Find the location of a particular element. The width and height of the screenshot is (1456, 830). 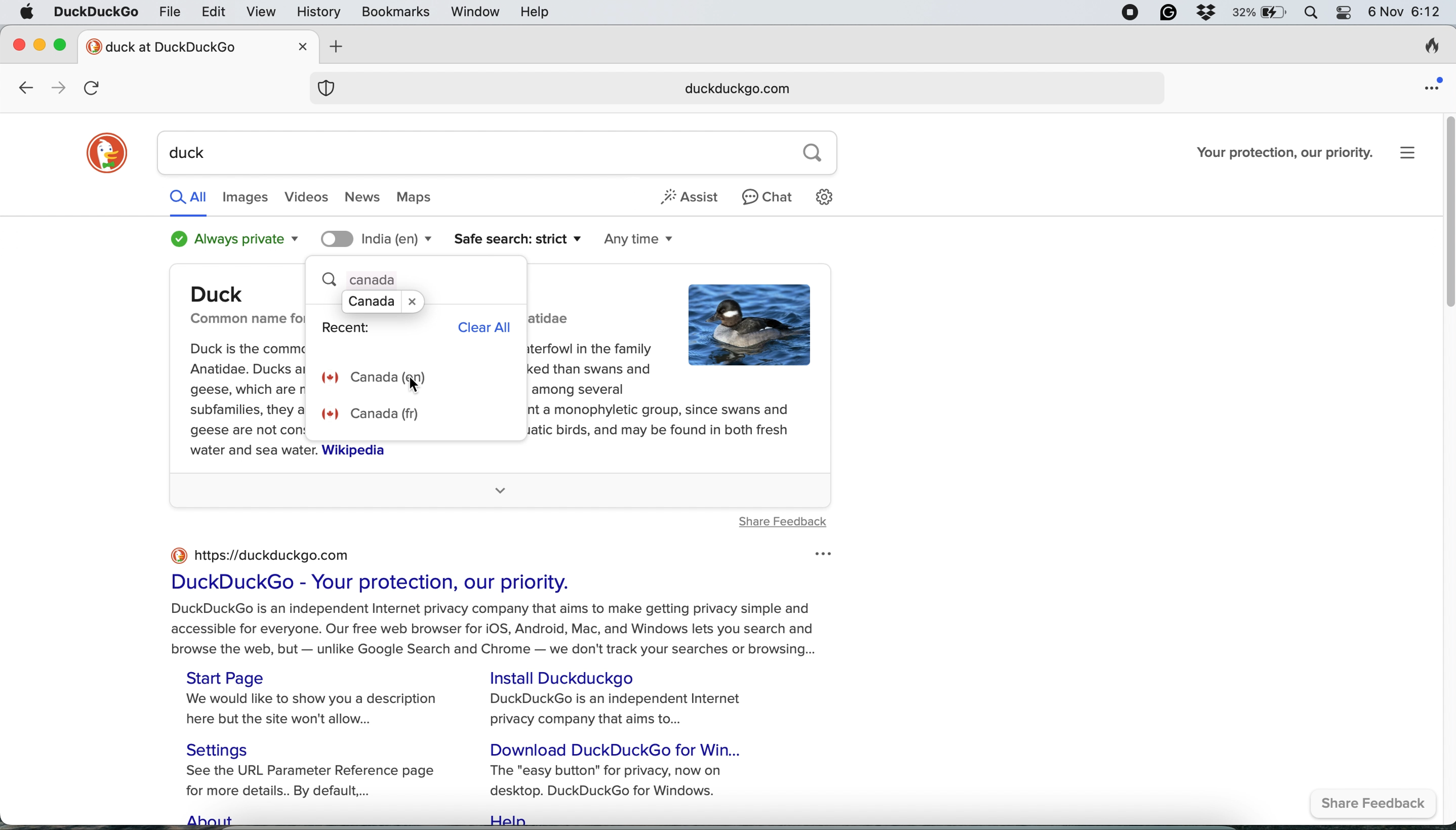

suggestion pop up is located at coordinates (384, 302).